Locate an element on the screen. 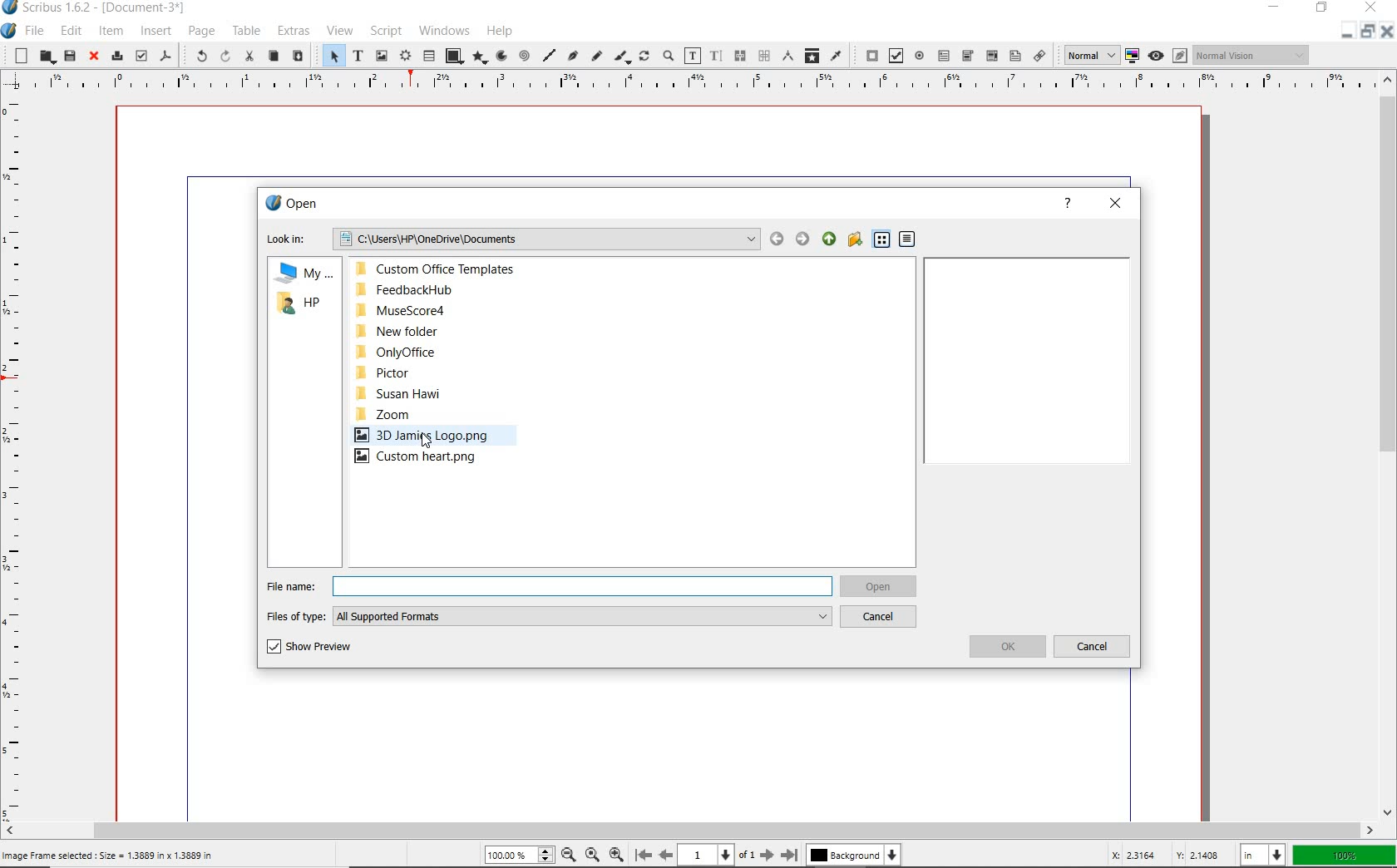  INSERT is located at coordinates (156, 32).